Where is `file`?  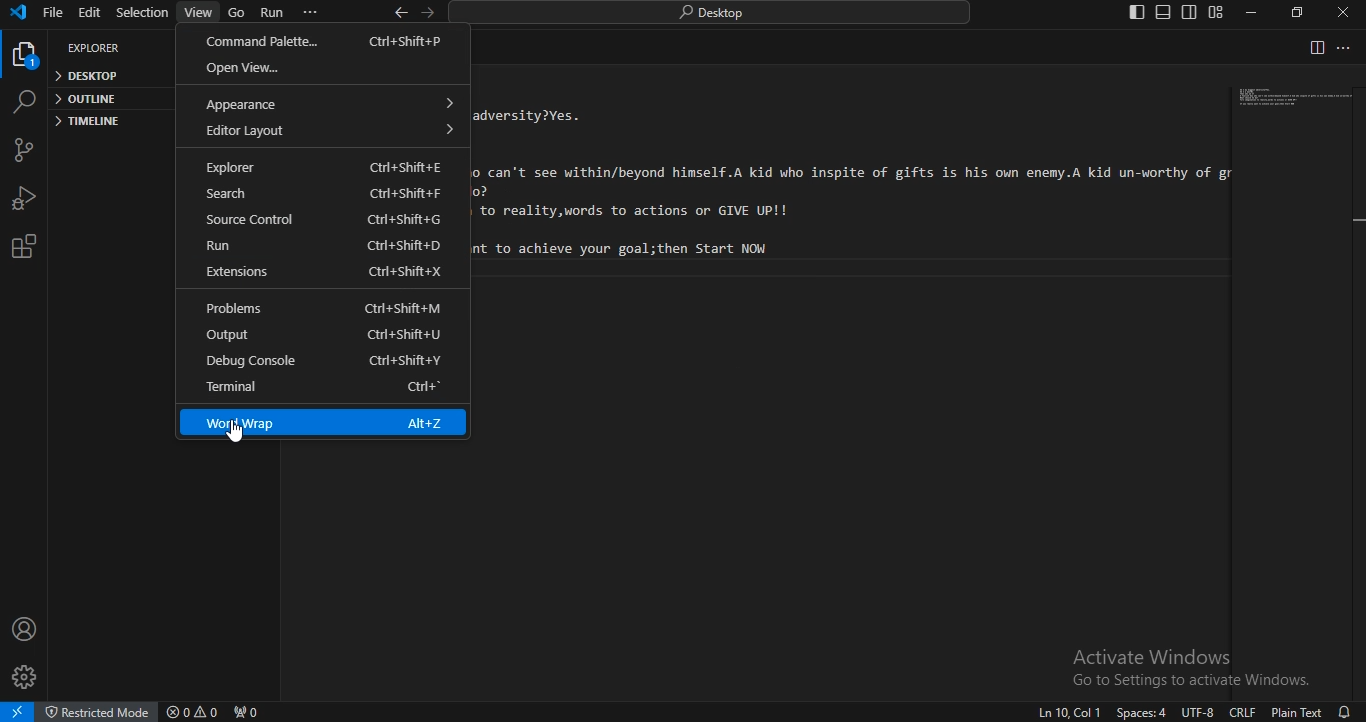
file is located at coordinates (53, 13).